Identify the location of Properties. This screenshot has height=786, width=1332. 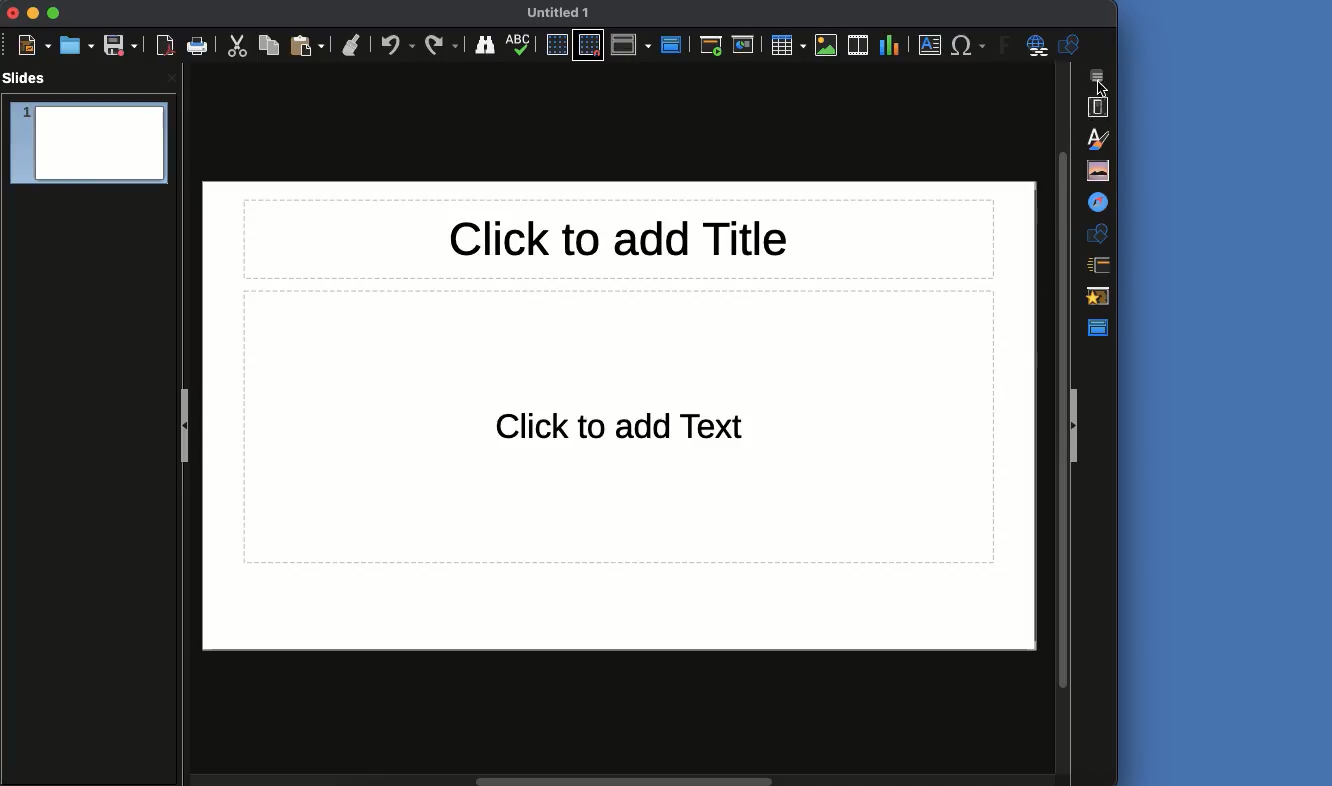
(1099, 105).